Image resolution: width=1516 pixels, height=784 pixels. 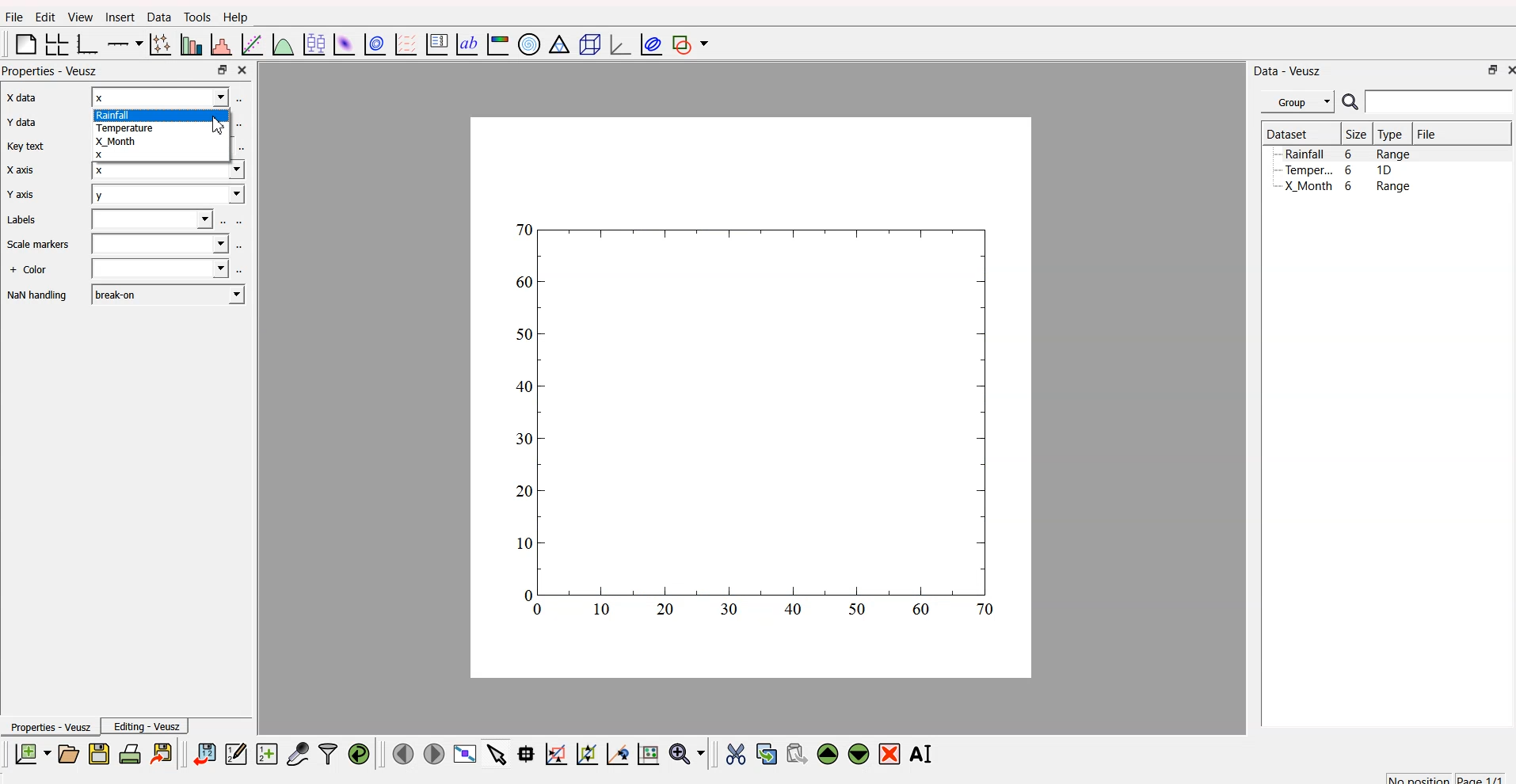 I want to click on text label, so click(x=465, y=45).